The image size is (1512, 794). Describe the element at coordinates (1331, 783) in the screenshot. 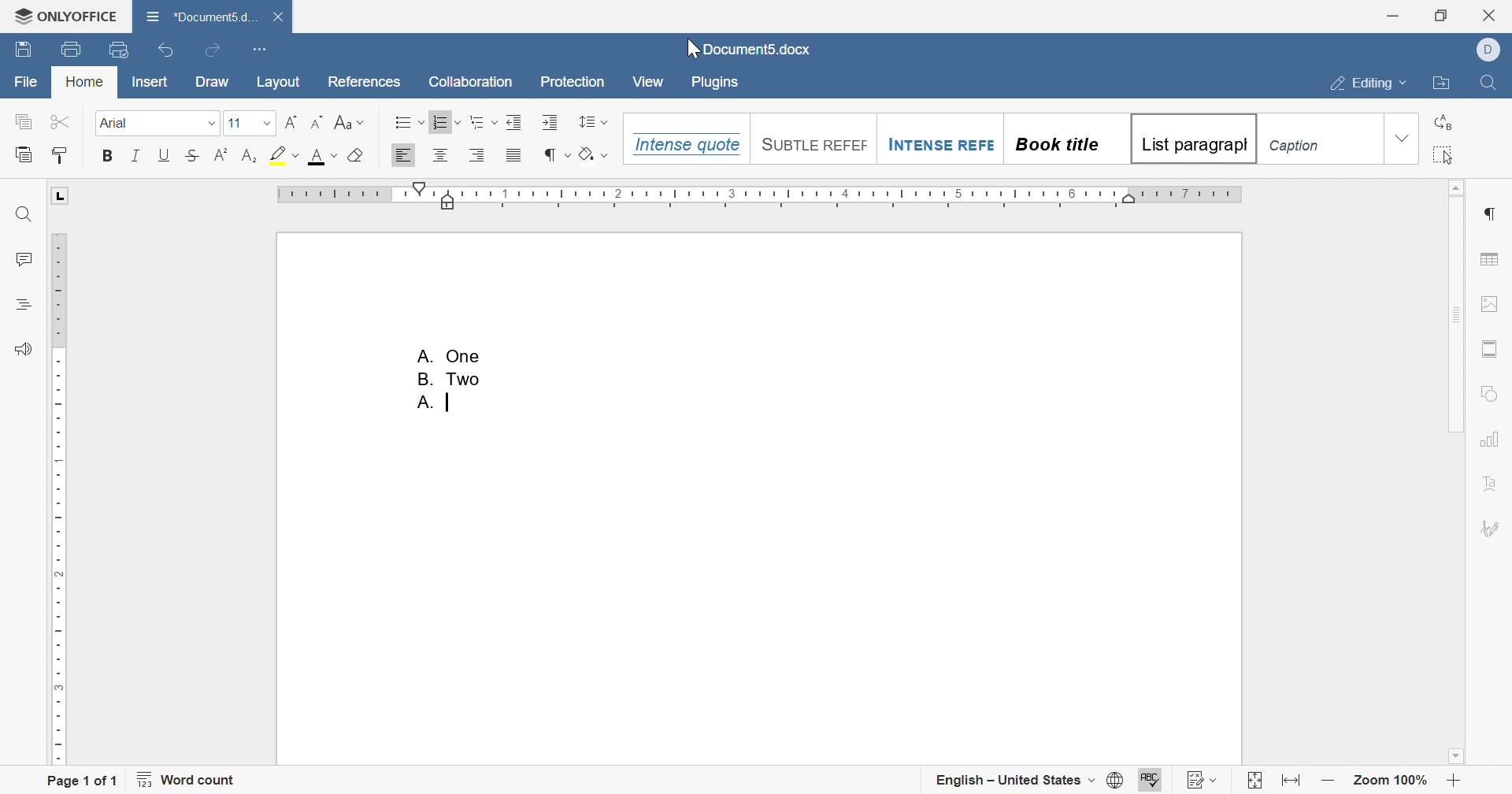

I see `zoom out` at that location.